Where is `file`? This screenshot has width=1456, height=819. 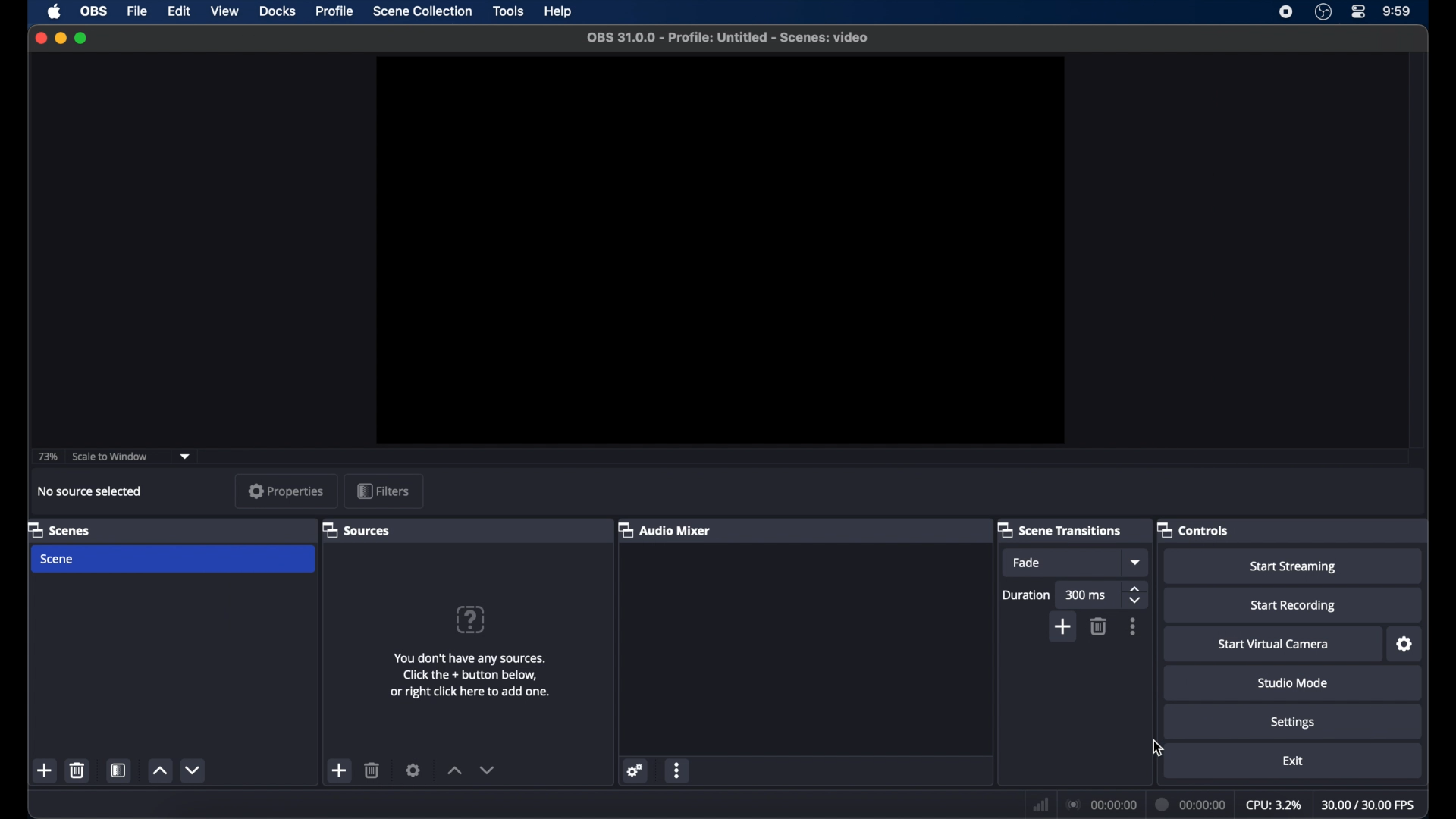 file is located at coordinates (137, 10).